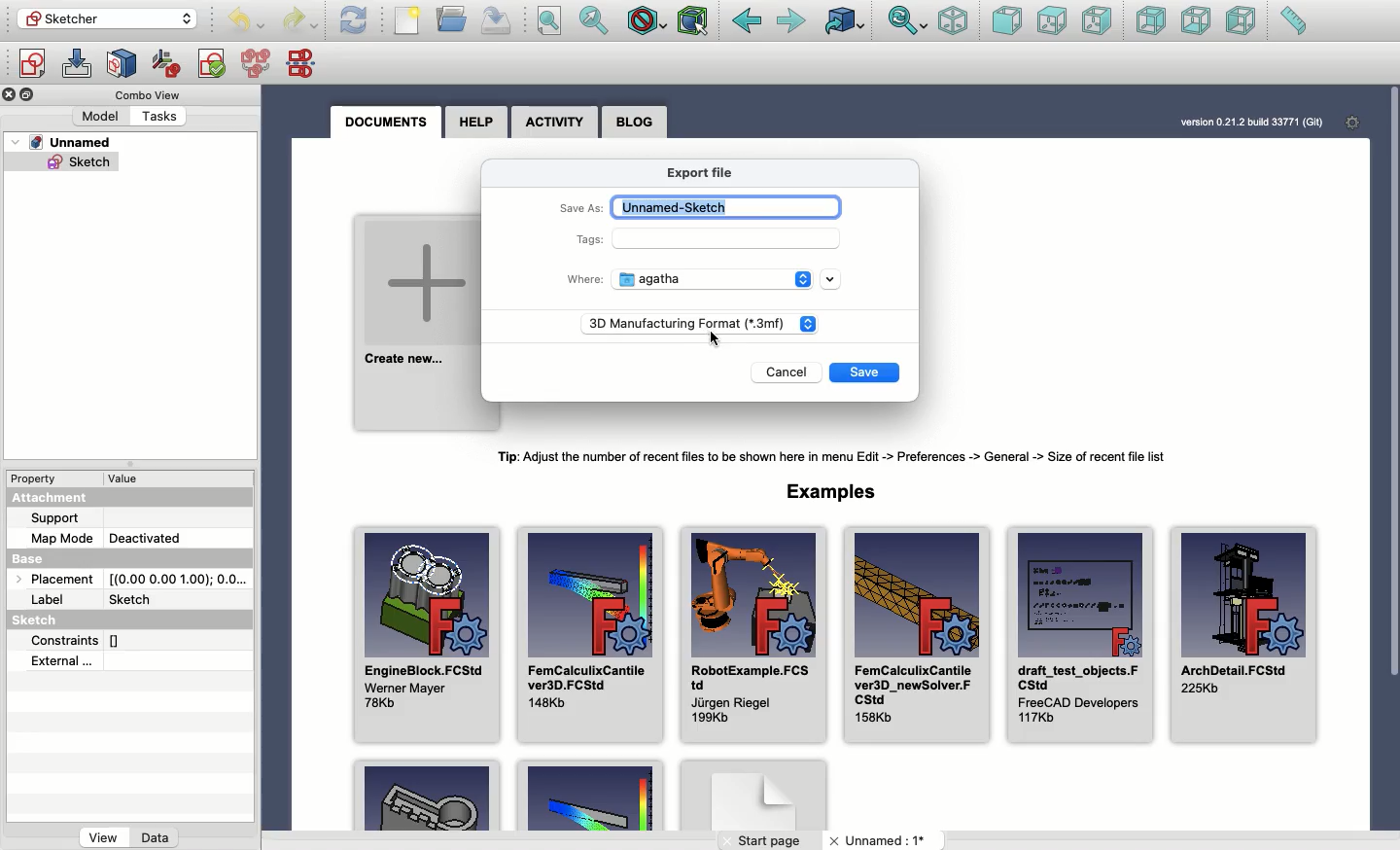 The image size is (1400, 850). Describe the element at coordinates (843, 22) in the screenshot. I see `Linked to object` at that location.